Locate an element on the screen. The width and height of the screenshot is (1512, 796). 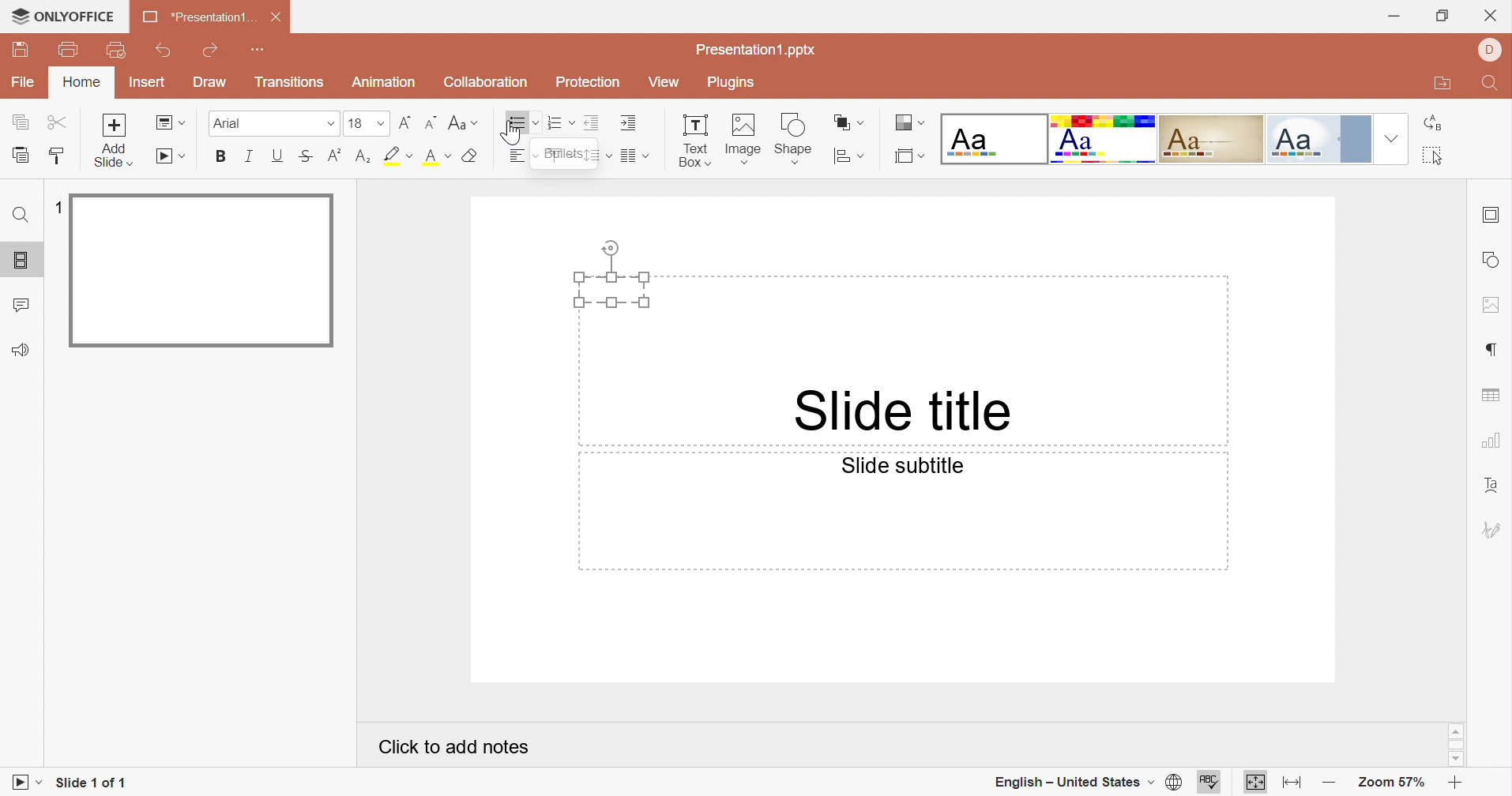
Blank is located at coordinates (995, 139).